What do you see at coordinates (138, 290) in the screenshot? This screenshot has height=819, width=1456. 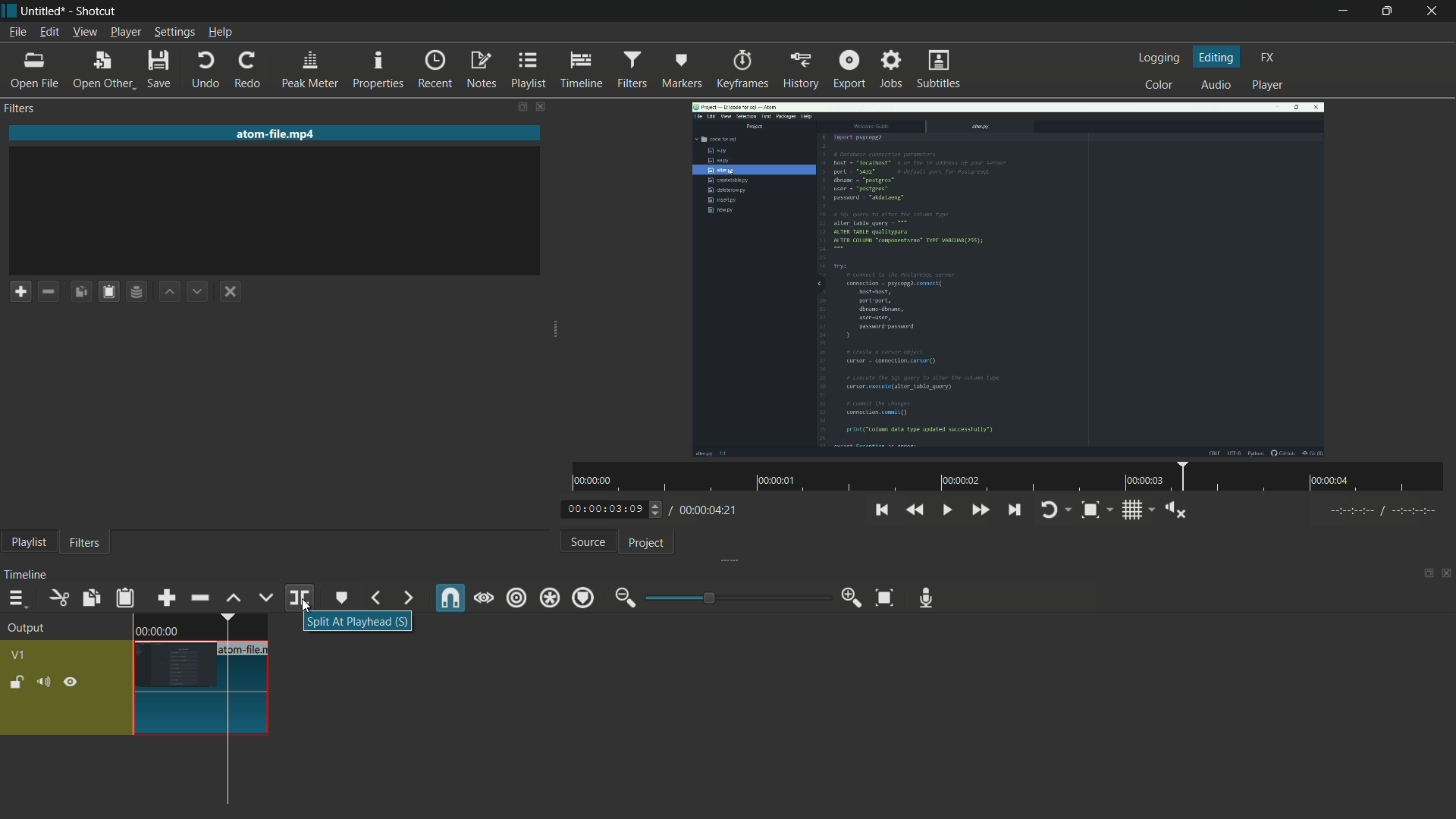 I see `save filter set` at bounding box center [138, 290].